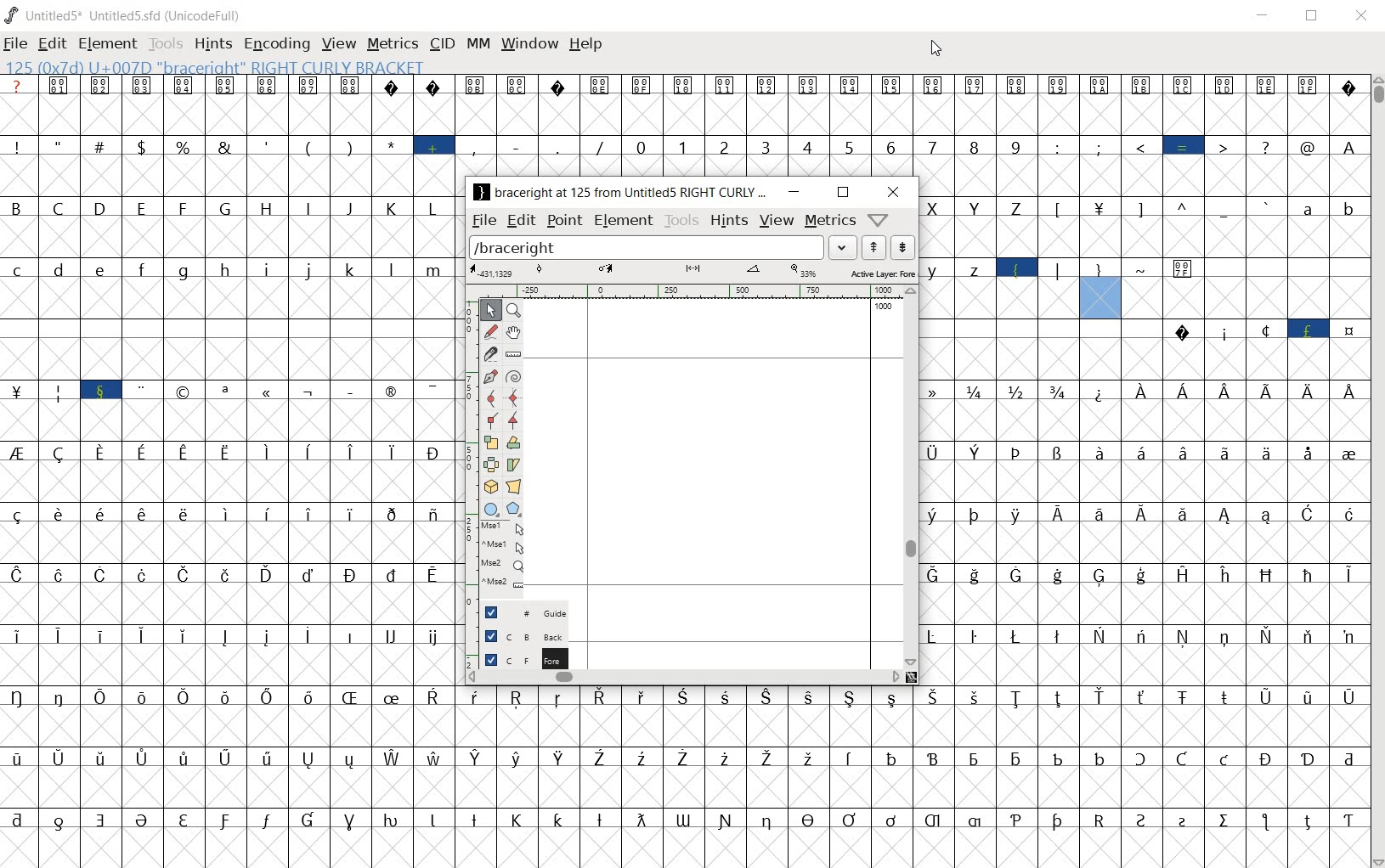 The width and height of the screenshot is (1385, 868). Describe the element at coordinates (511, 375) in the screenshot. I see `change whether spiro is active or not` at that location.